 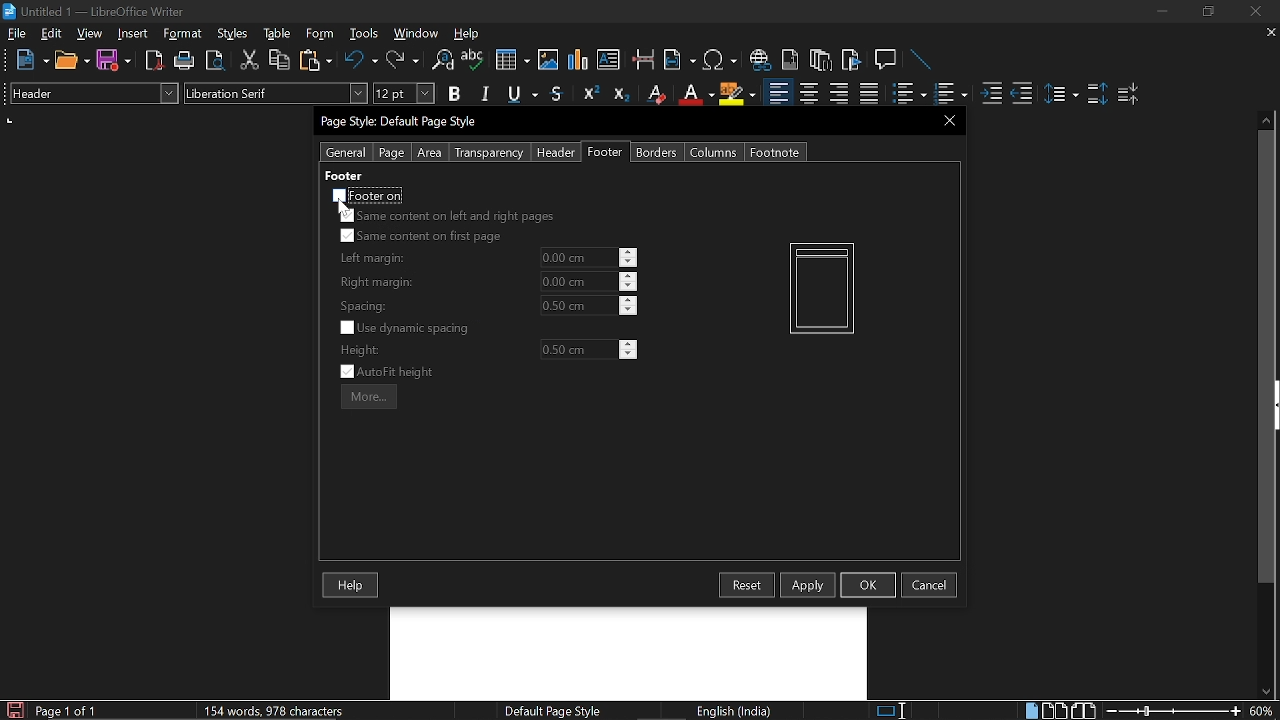 I want to click on Edit, so click(x=52, y=33).